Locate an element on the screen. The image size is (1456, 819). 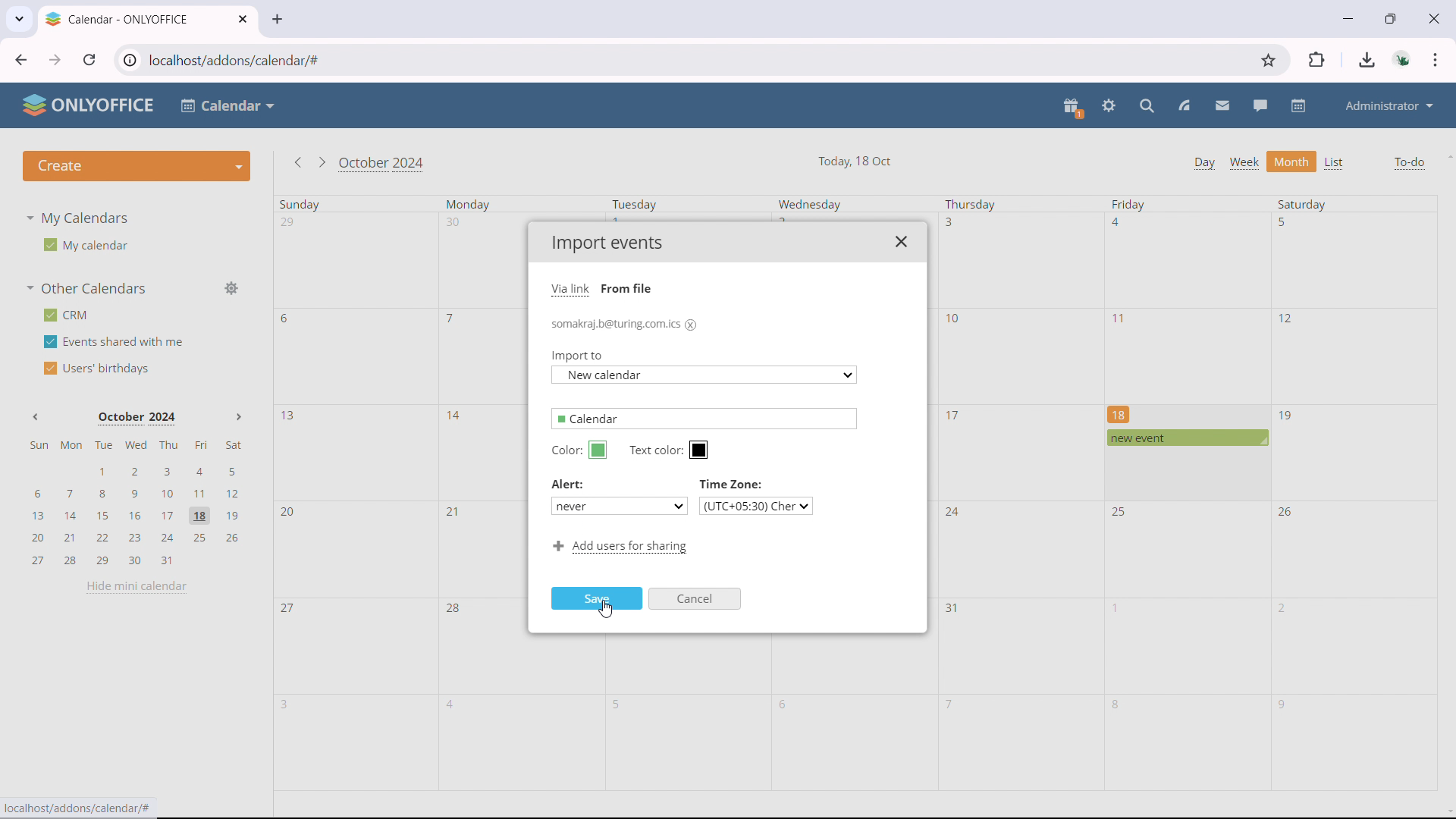
6 is located at coordinates (786, 705).